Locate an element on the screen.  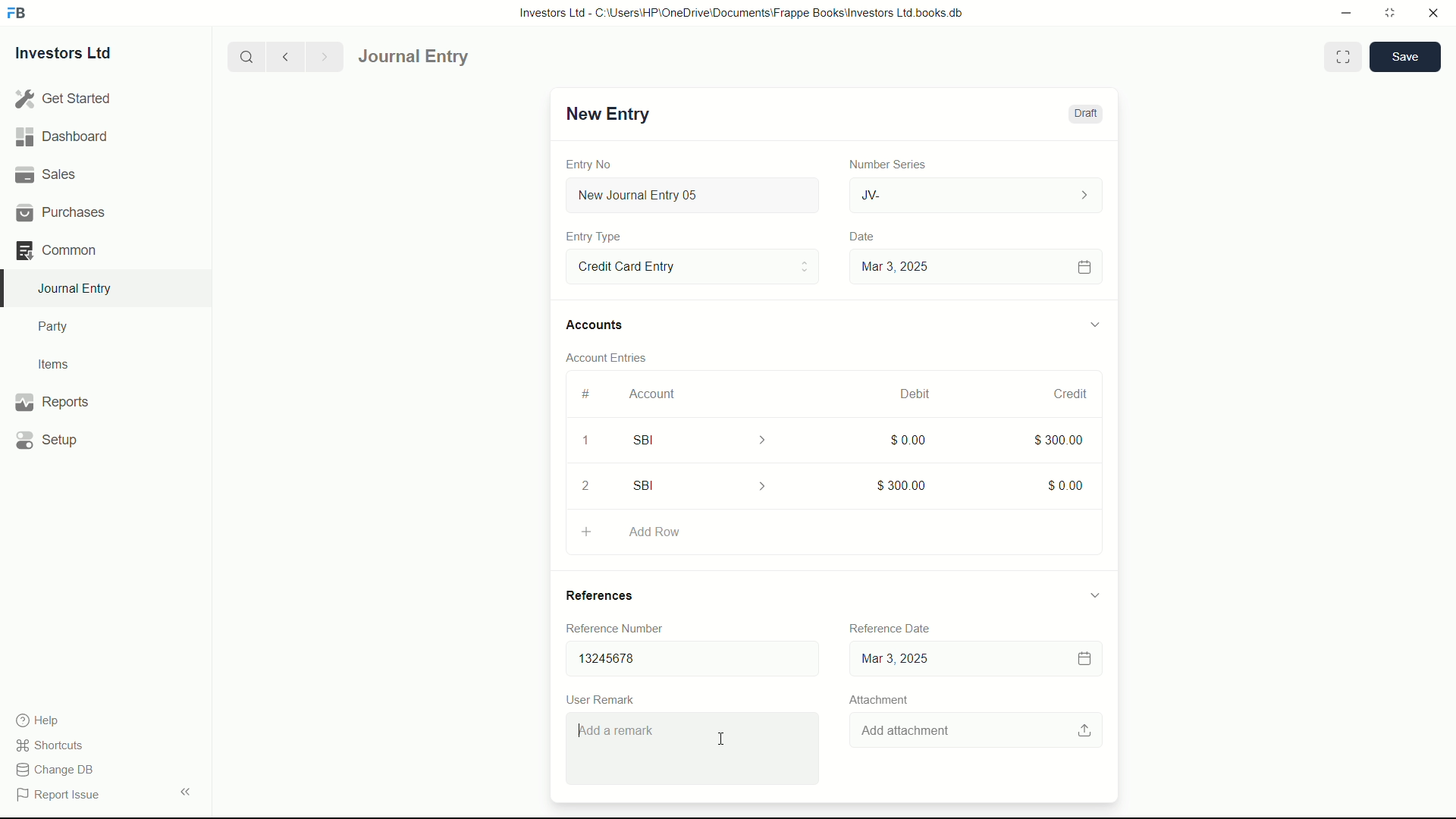
expand/collapse is located at coordinates (1094, 594).